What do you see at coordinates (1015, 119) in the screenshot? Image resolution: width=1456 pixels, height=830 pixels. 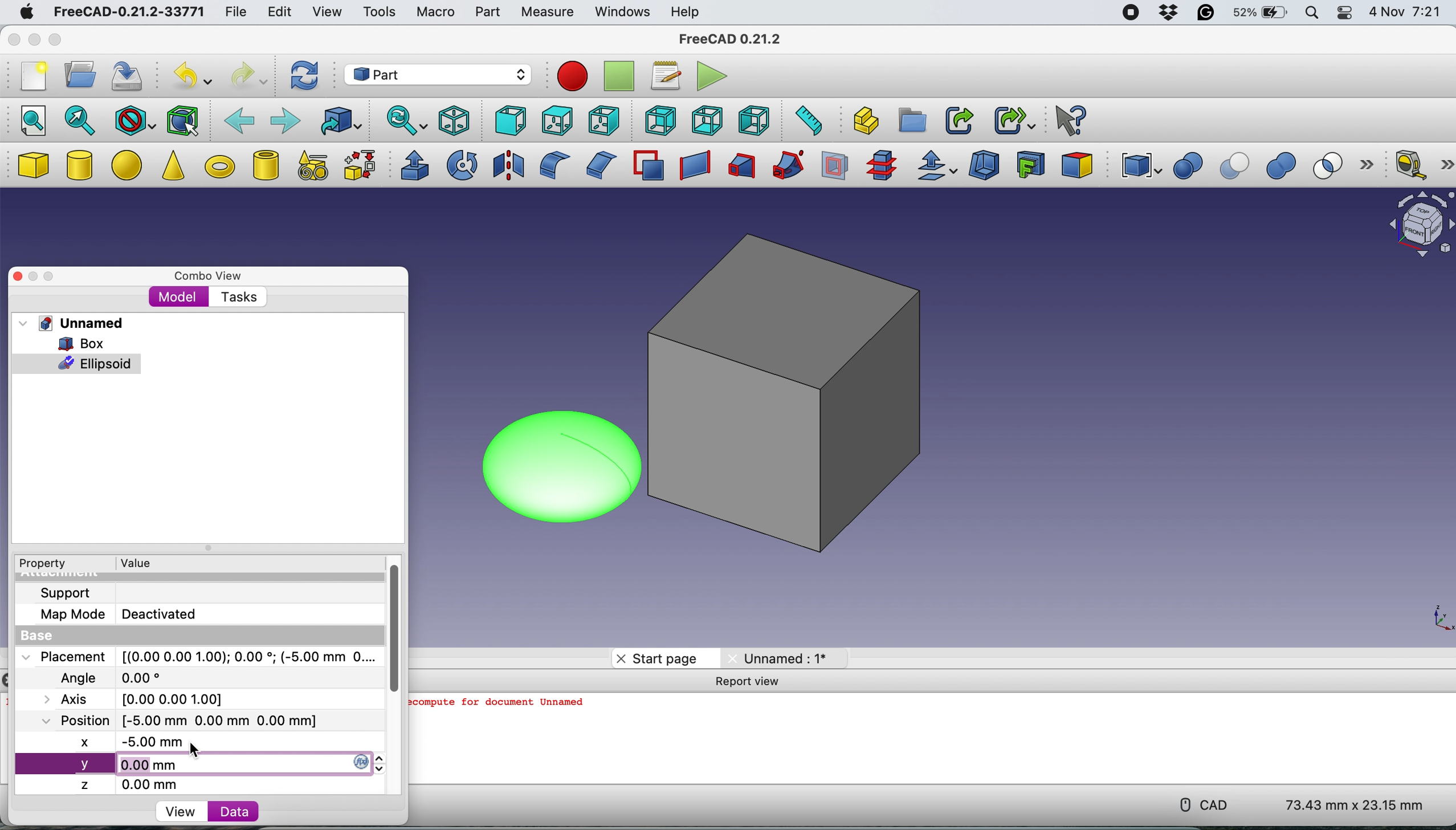 I see `make sub link` at bounding box center [1015, 119].